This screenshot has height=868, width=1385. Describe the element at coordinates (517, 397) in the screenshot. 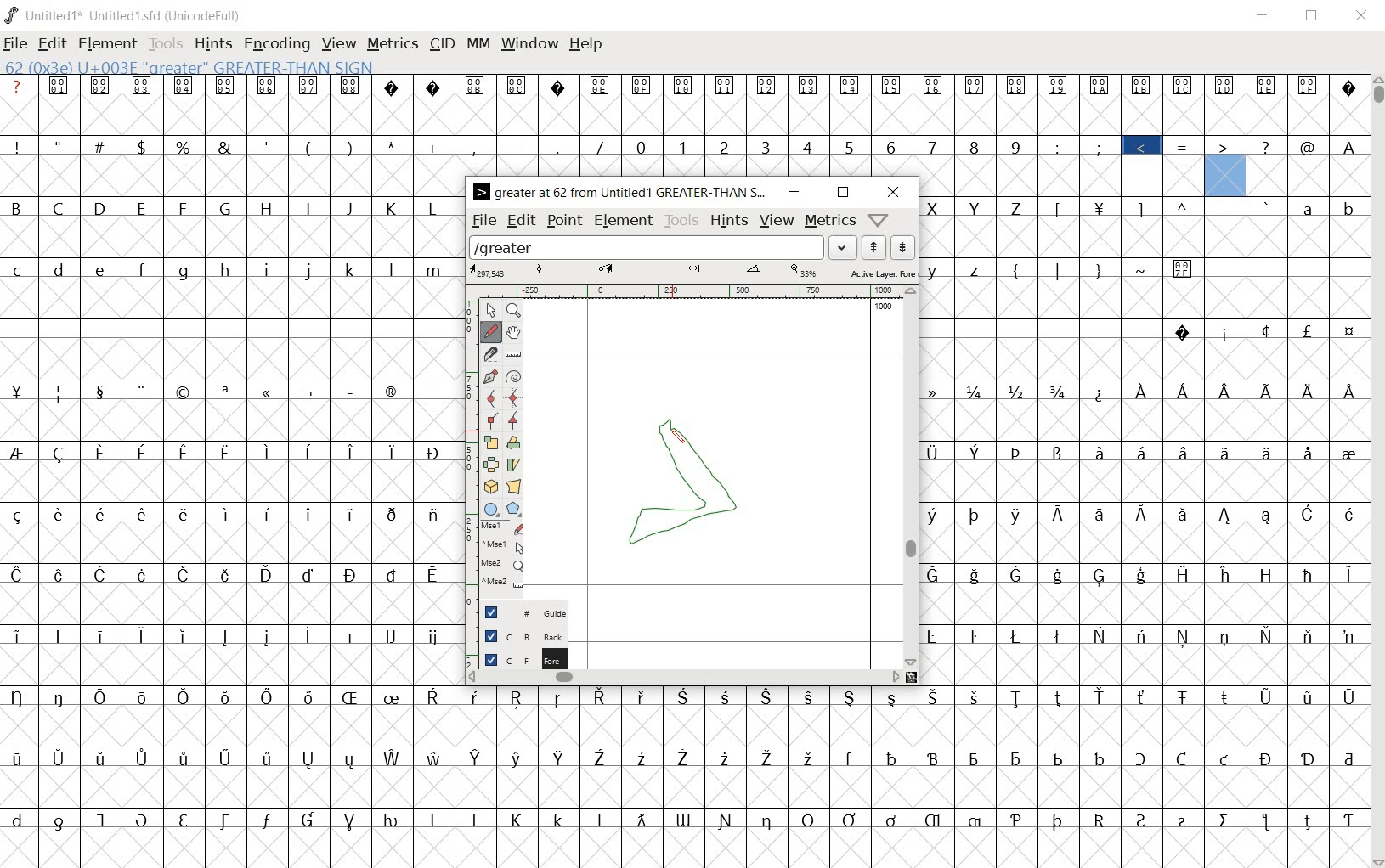

I see `add a curve point always either horizontal or vertical` at that location.